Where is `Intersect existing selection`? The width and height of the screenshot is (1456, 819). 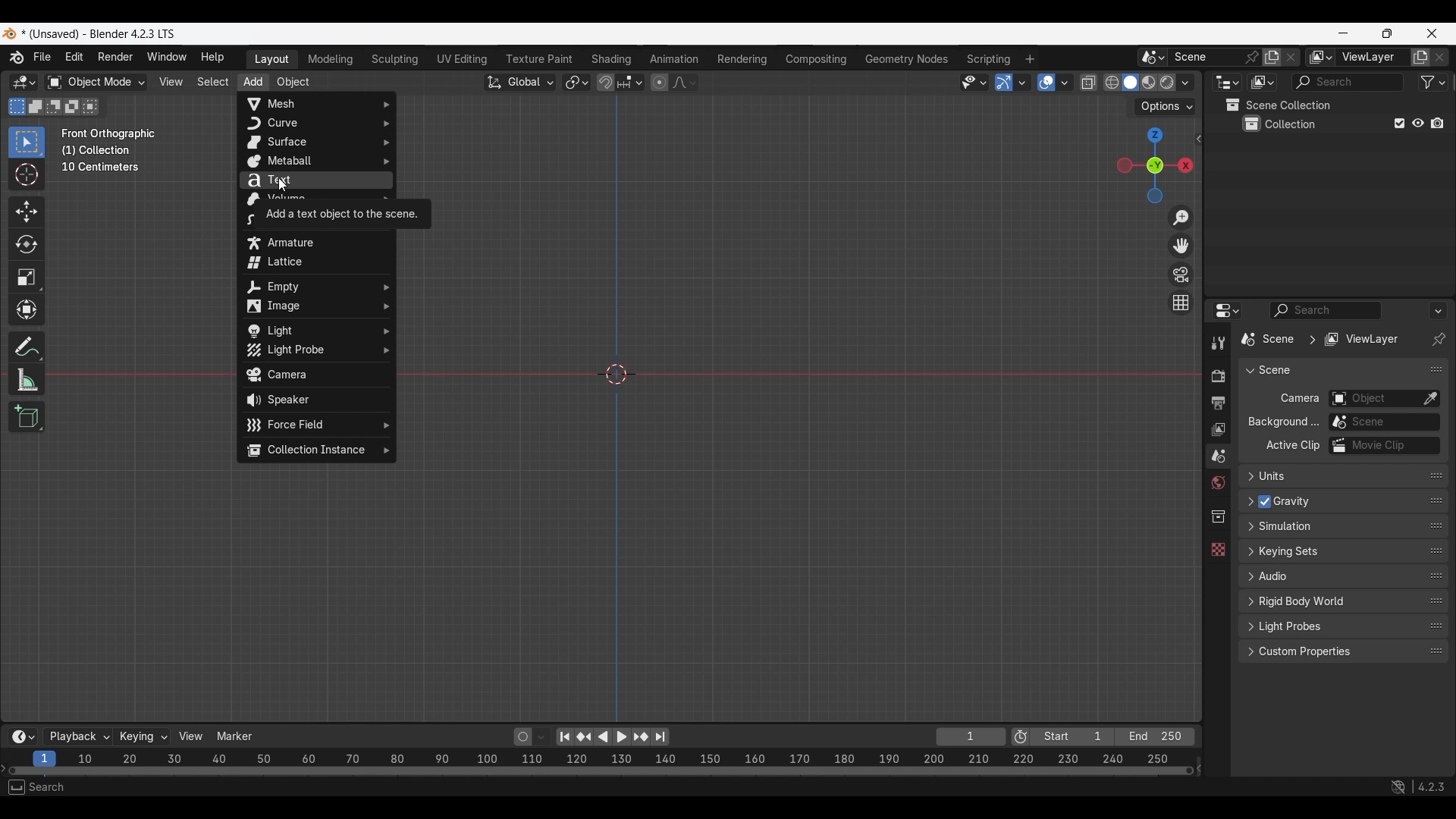
Intersect existing selection is located at coordinates (89, 107).